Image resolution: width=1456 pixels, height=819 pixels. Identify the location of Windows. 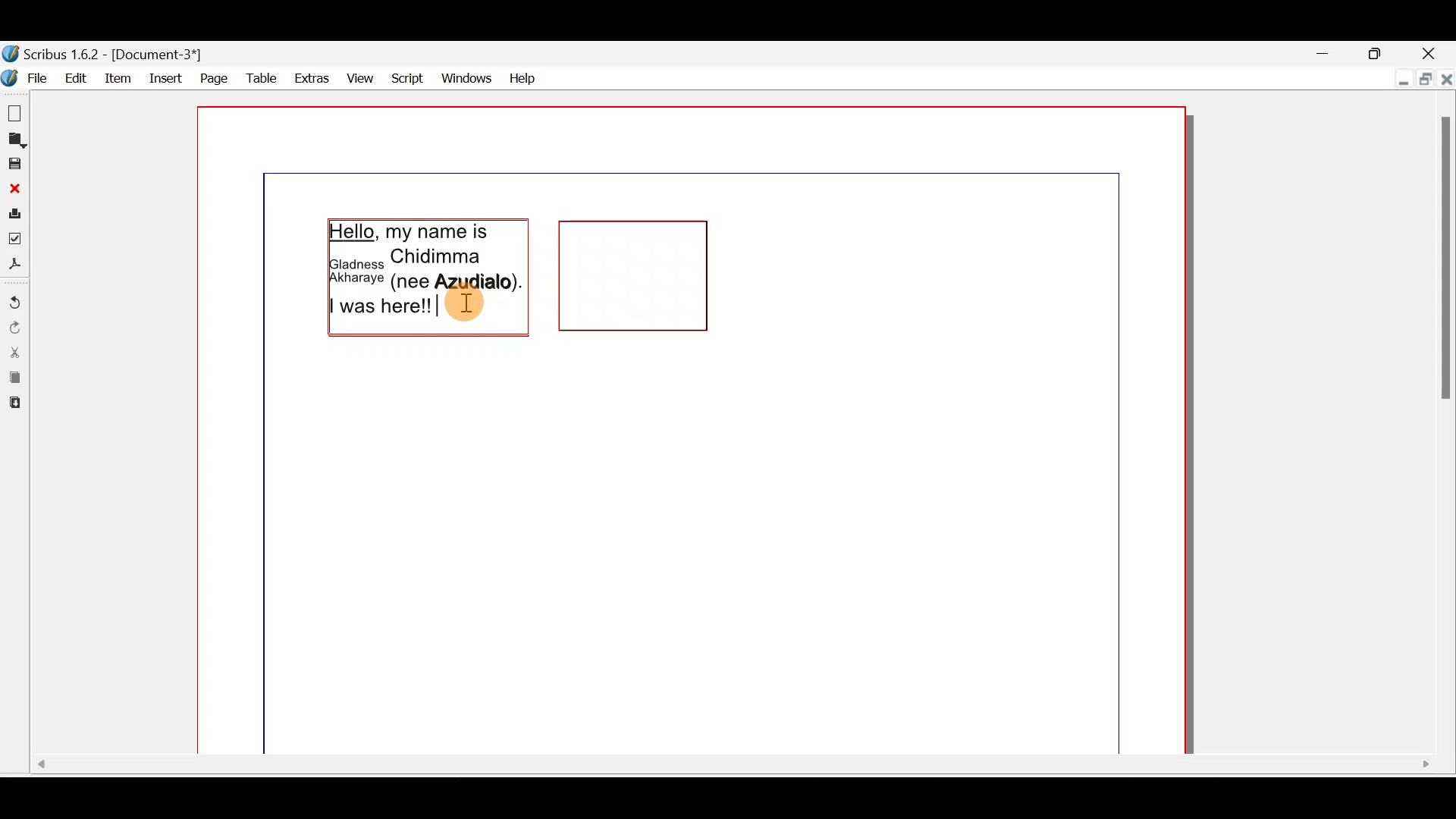
(467, 77).